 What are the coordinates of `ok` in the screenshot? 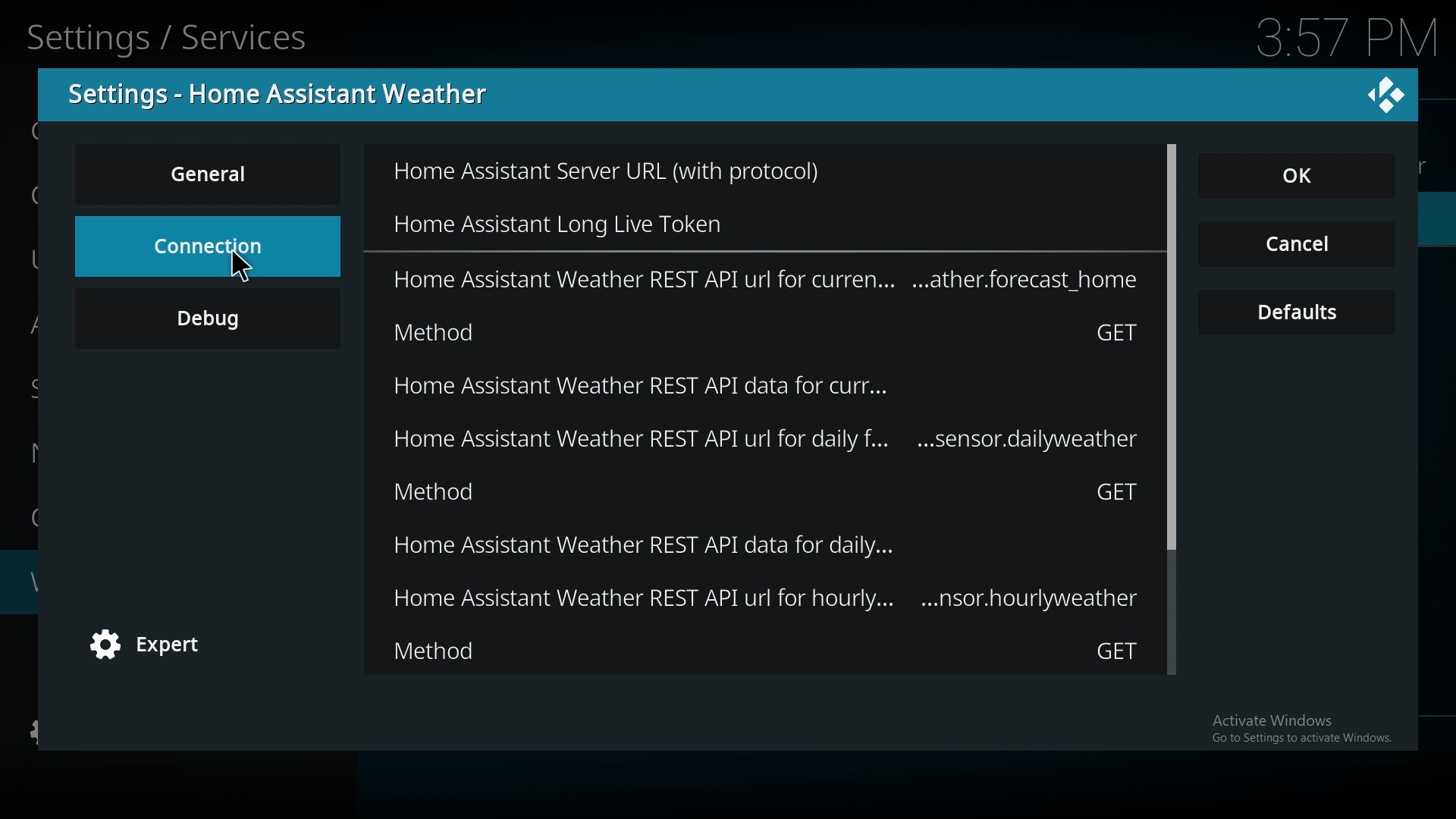 It's located at (1306, 177).